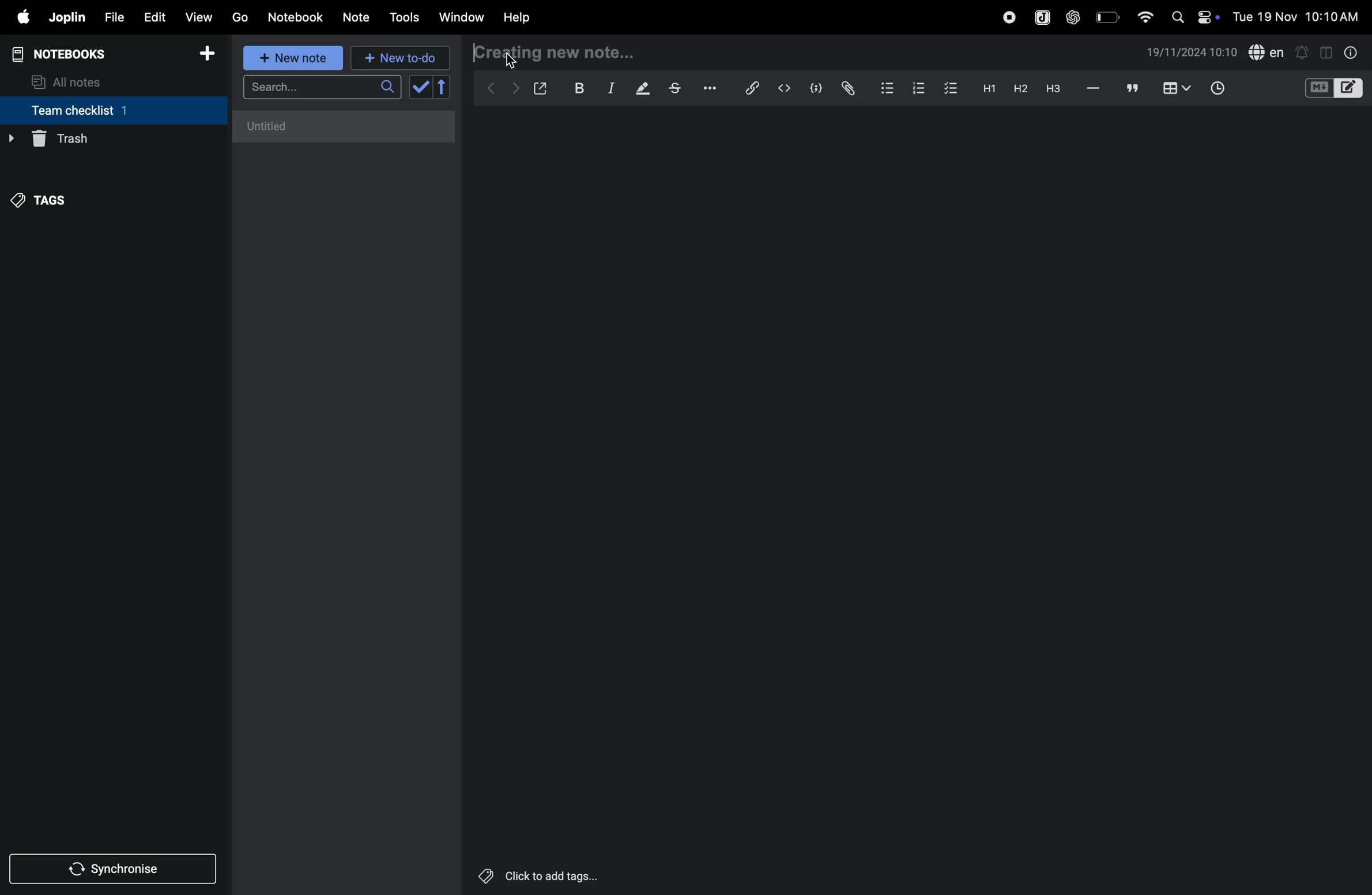  I want to click on bullet list, so click(884, 88).